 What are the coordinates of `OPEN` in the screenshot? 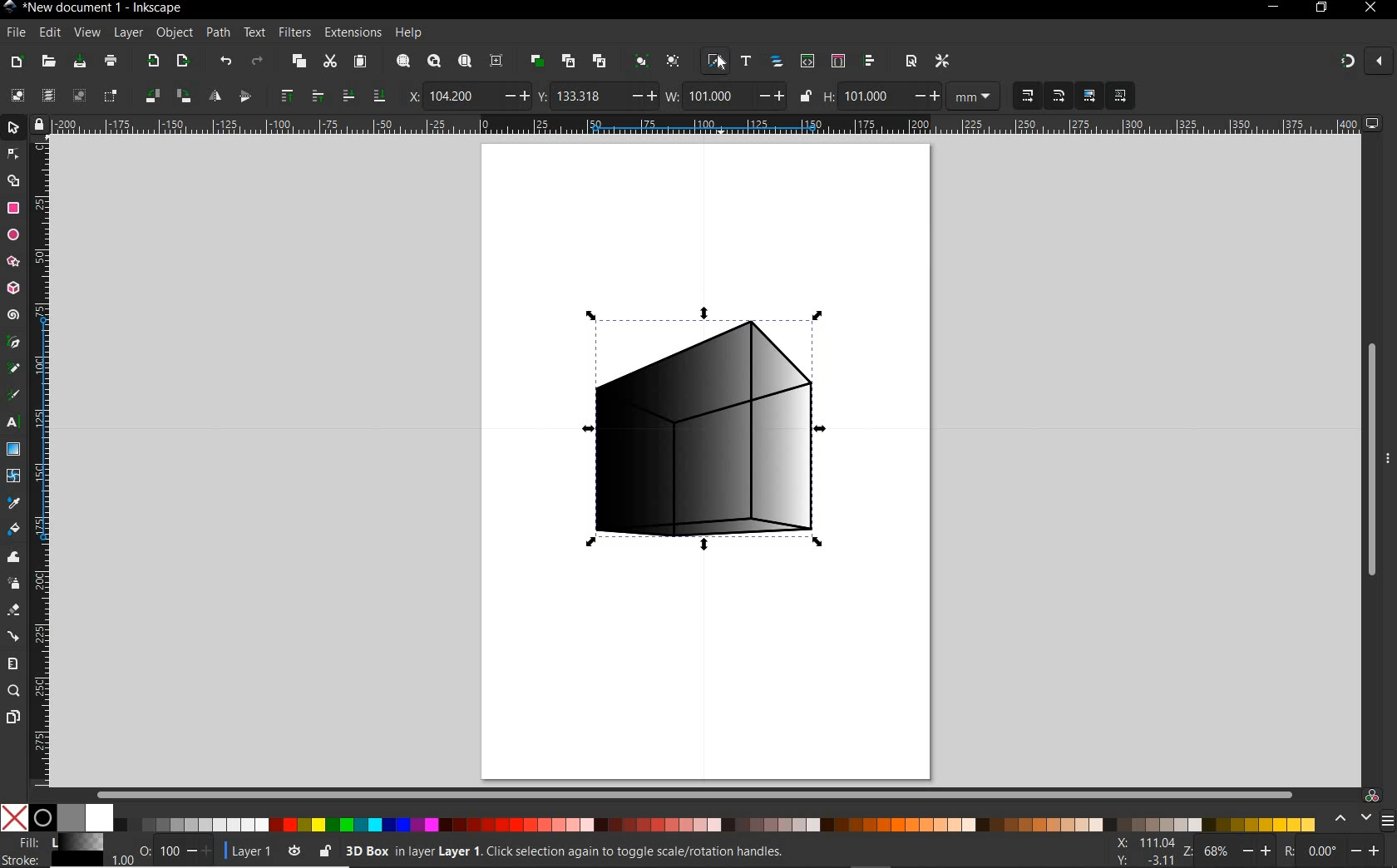 It's located at (49, 62).